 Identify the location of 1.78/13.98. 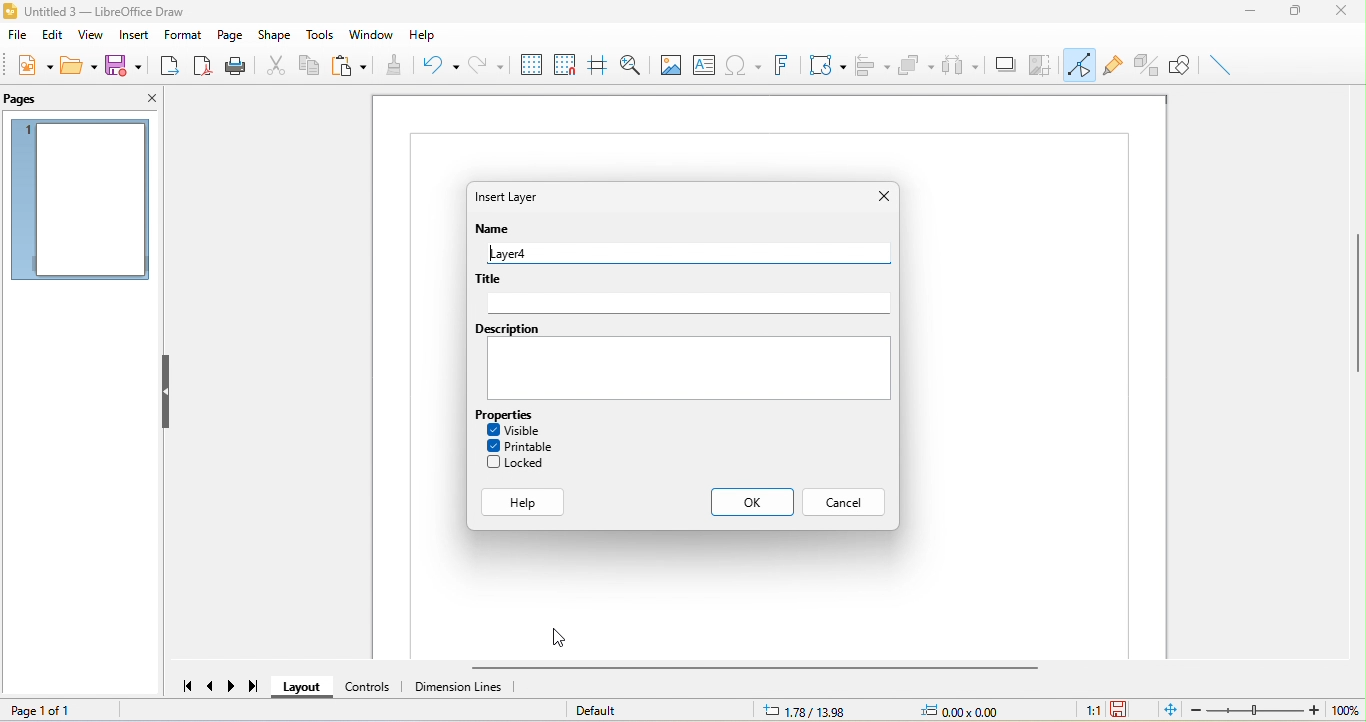
(803, 710).